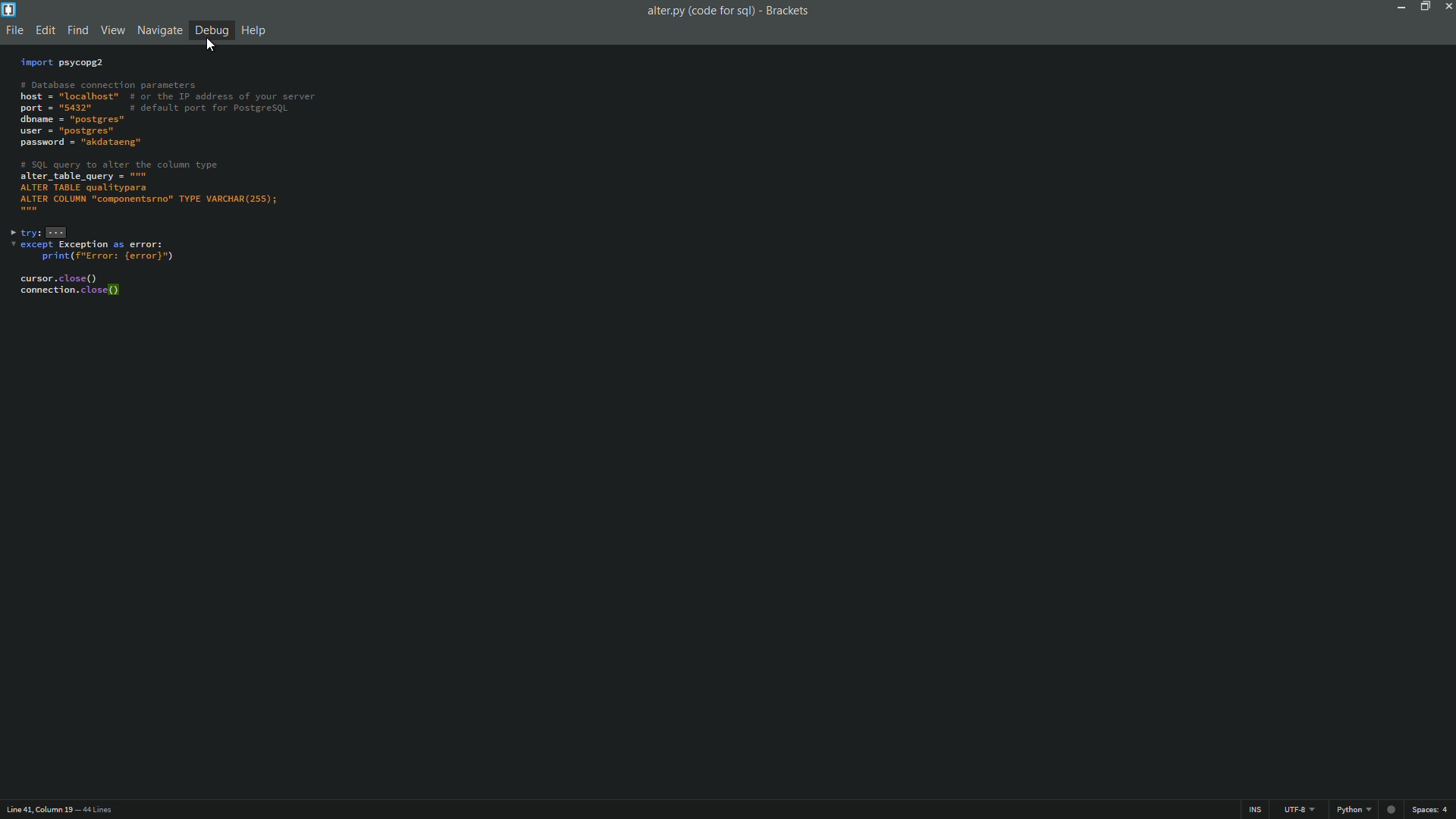 This screenshot has width=1456, height=819. I want to click on close app, so click(1447, 8).